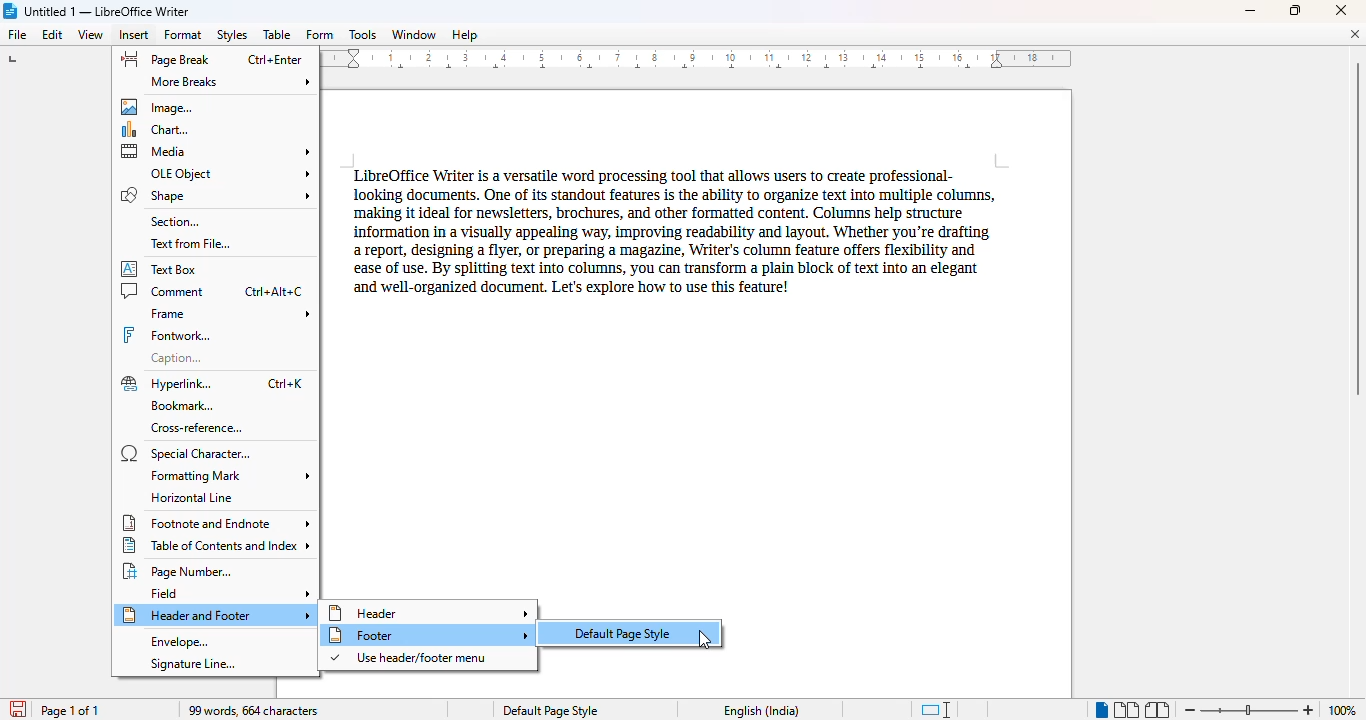 This screenshot has height=720, width=1366. What do you see at coordinates (937, 710) in the screenshot?
I see `standard selection` at bounding box center [937, 710].